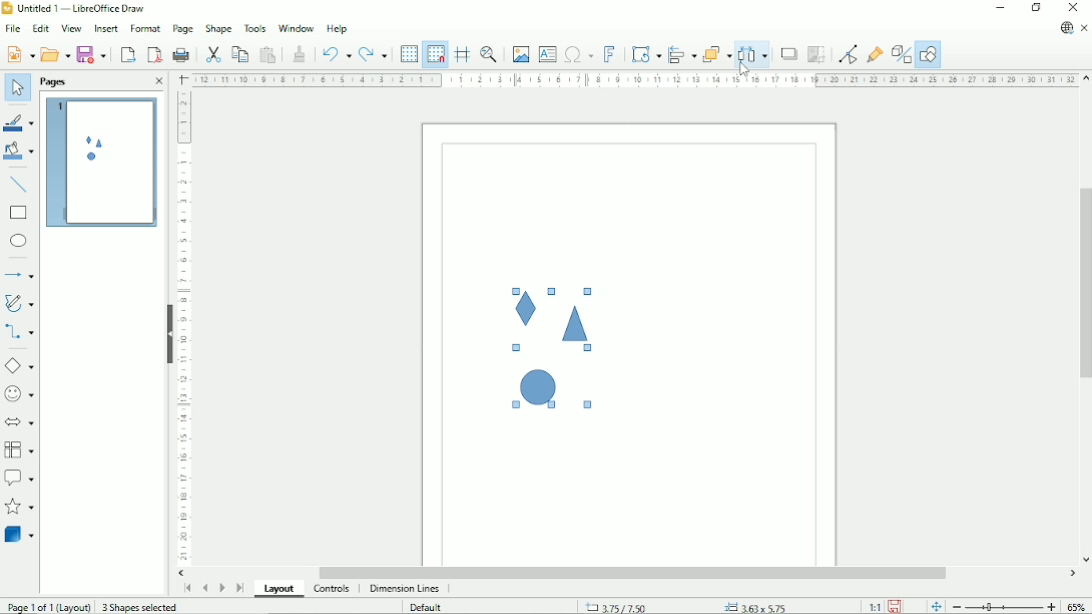 The image size is (1092, 614). What do you see at coordinates (105, 28) in the screenshot?
I see `Insert` at bounding box center [105, 28].